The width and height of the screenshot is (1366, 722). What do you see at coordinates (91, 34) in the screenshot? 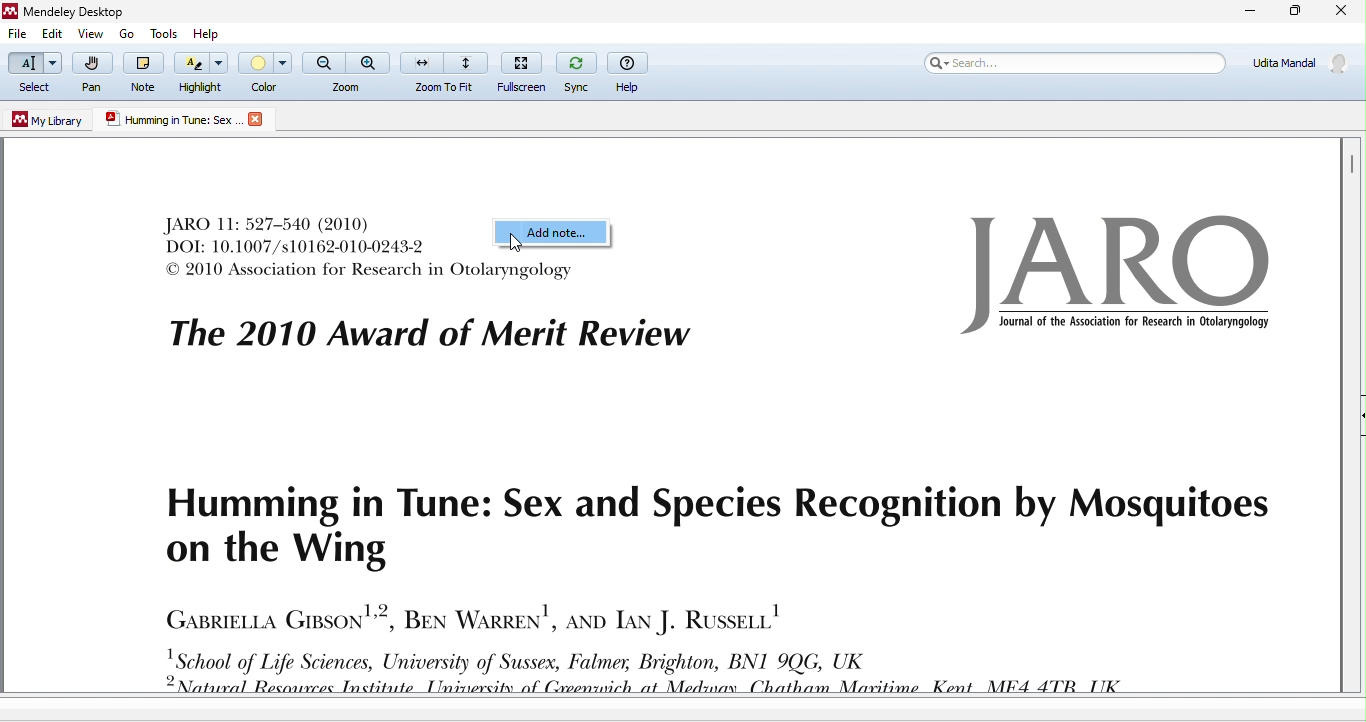
I see `view` at bounding box center [91, 34].